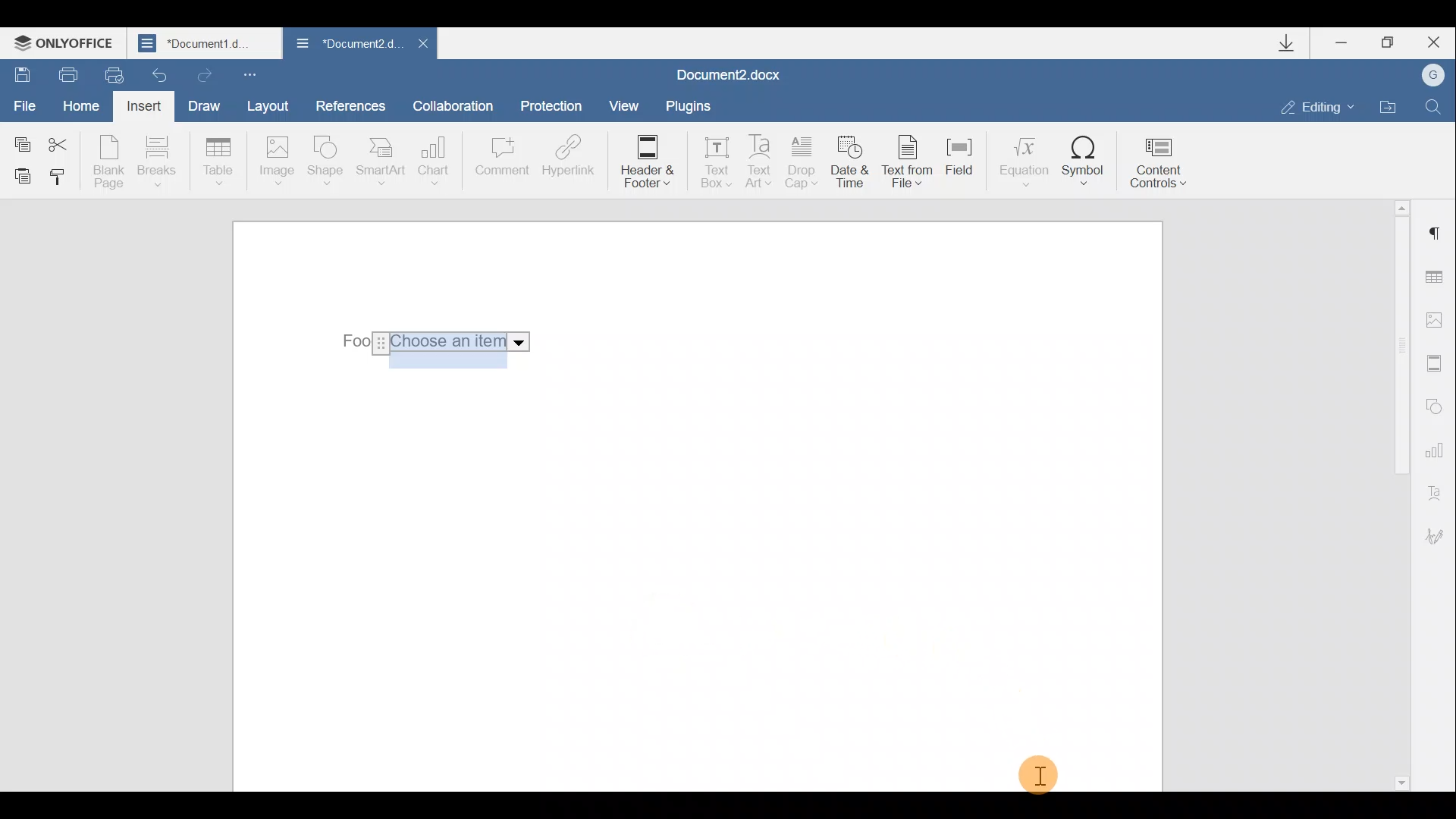  I want to click on Cursor, so click(1039, 776).